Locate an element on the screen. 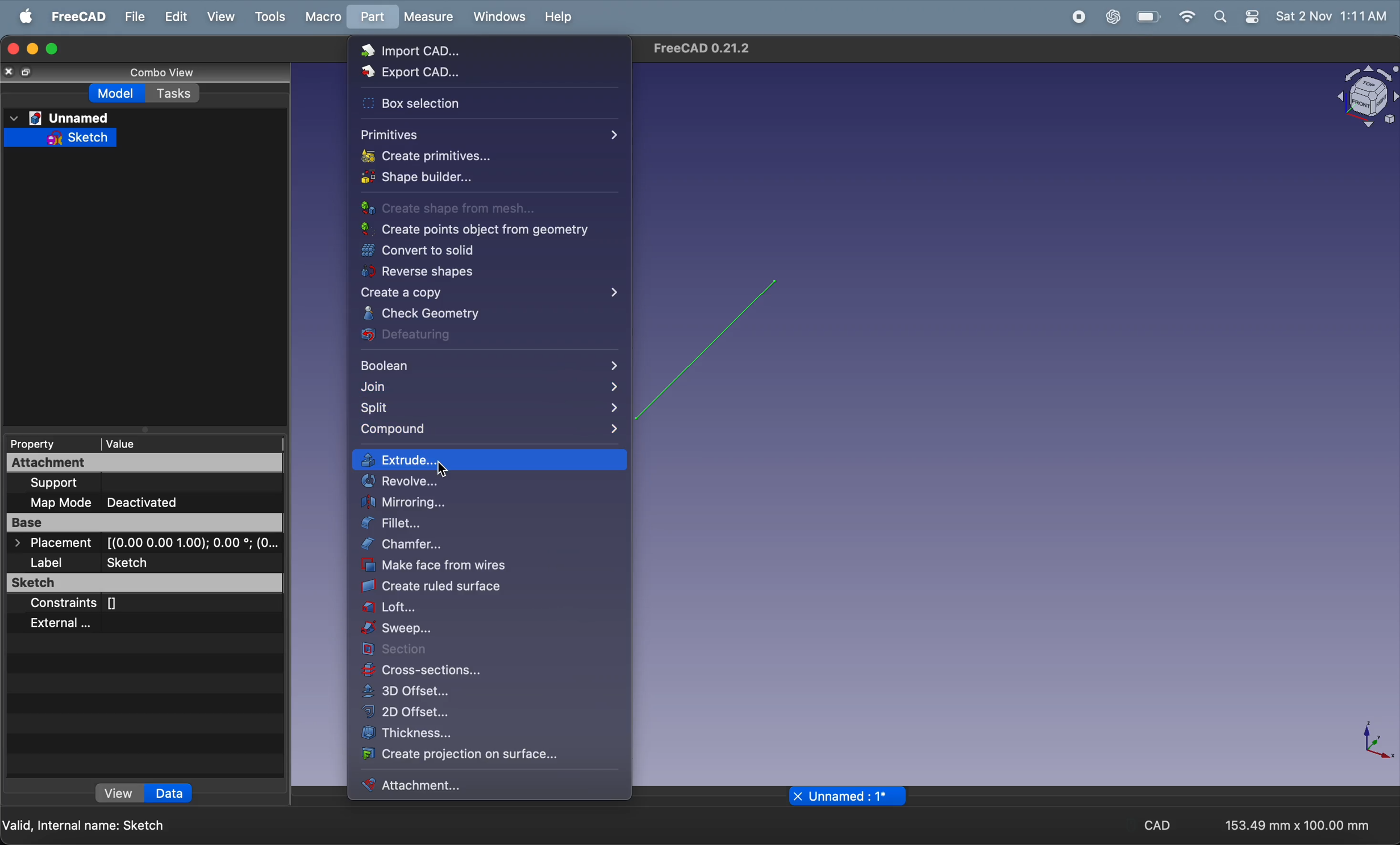 The width and height of the screenshot is (1400, 845). maximize is located at coordinates (53, 50).